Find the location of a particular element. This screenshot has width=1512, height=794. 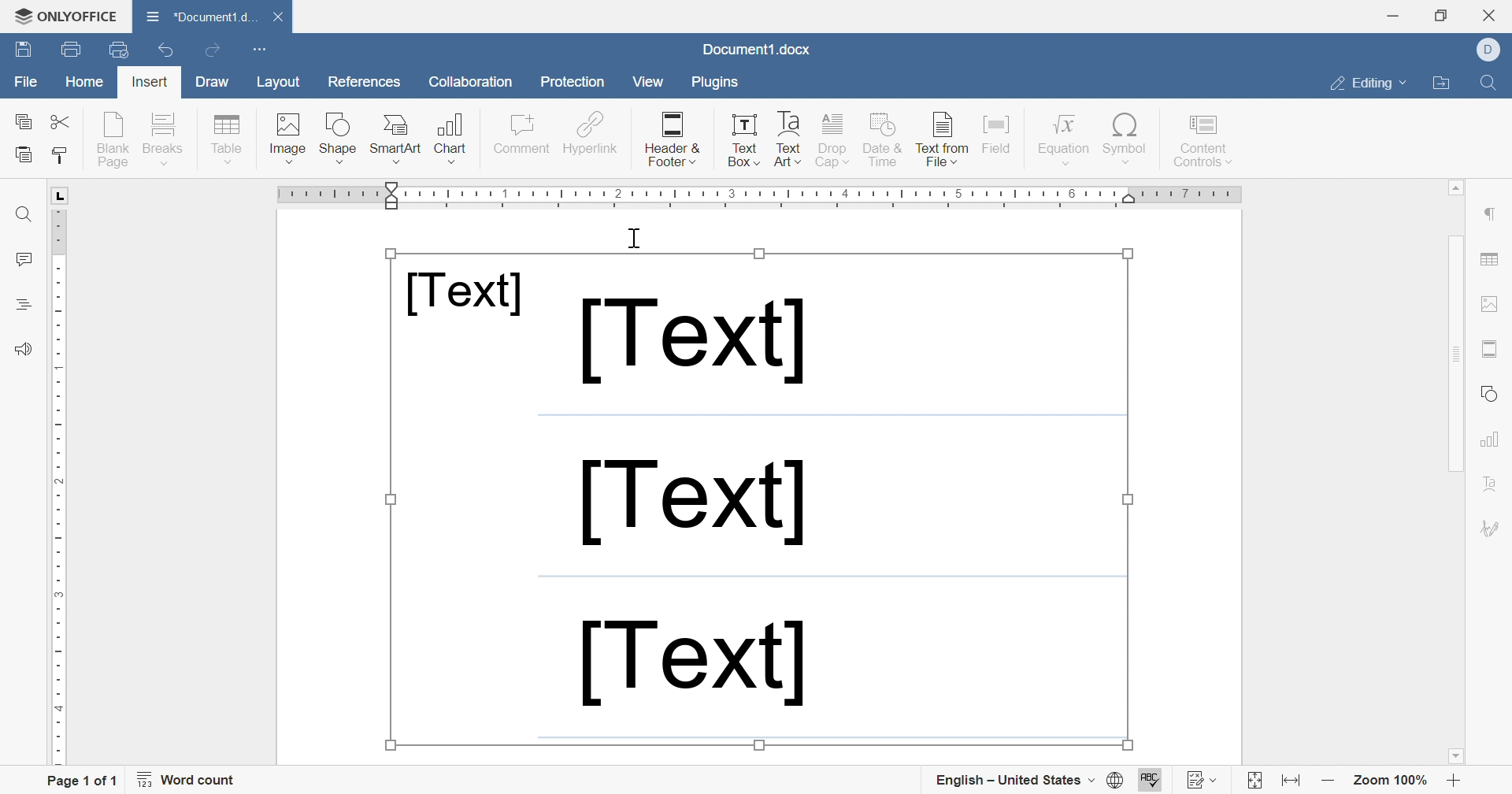

Header & Footer is located at coordinates (673, 140).